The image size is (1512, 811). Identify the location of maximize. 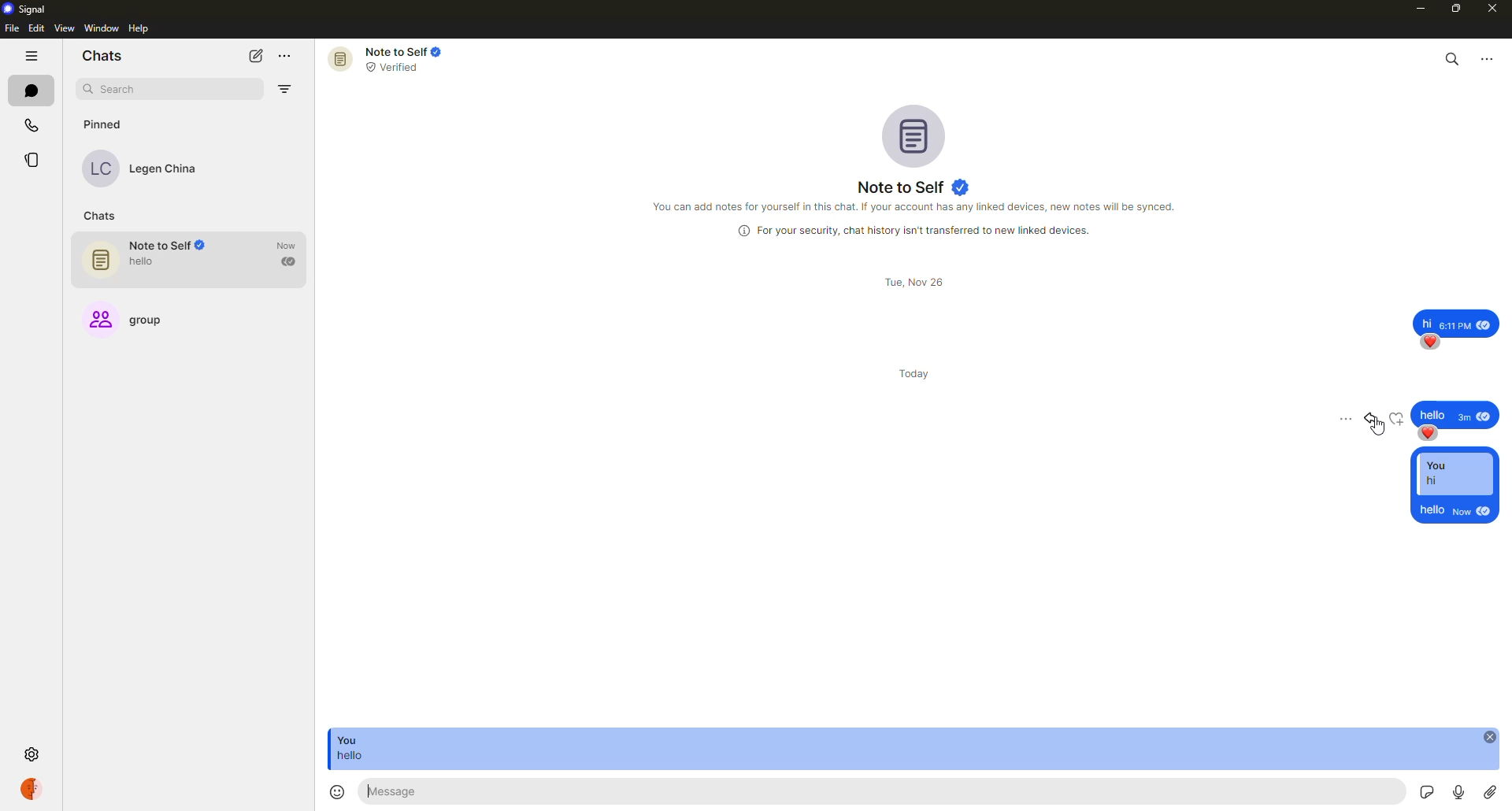
(1452, 10).